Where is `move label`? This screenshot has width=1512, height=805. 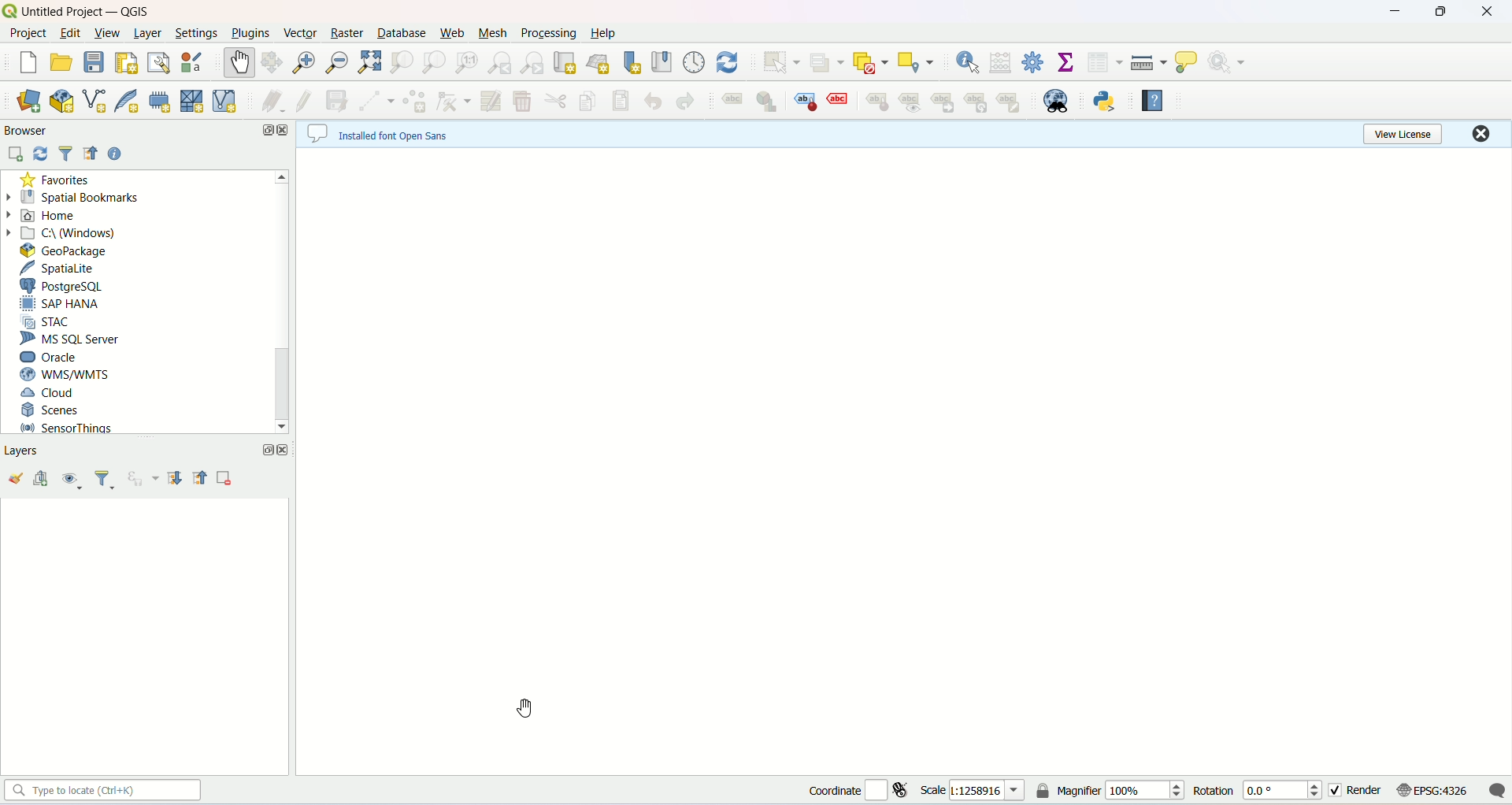
move label is located at coordinates (946, 106).